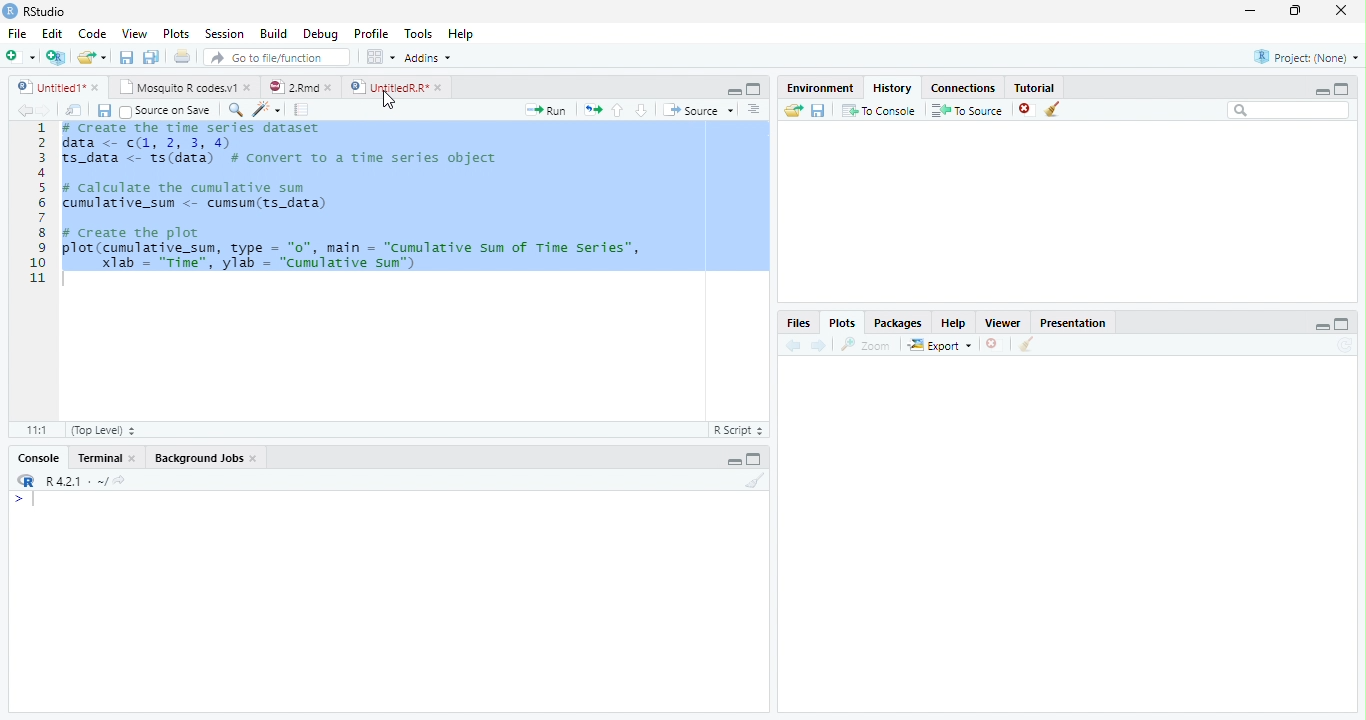 This screenshot has width=1366, height=720. What do you see at coordinates (20, 56) in the screenshot?
I see `New file` at bounding box center [20, 56].